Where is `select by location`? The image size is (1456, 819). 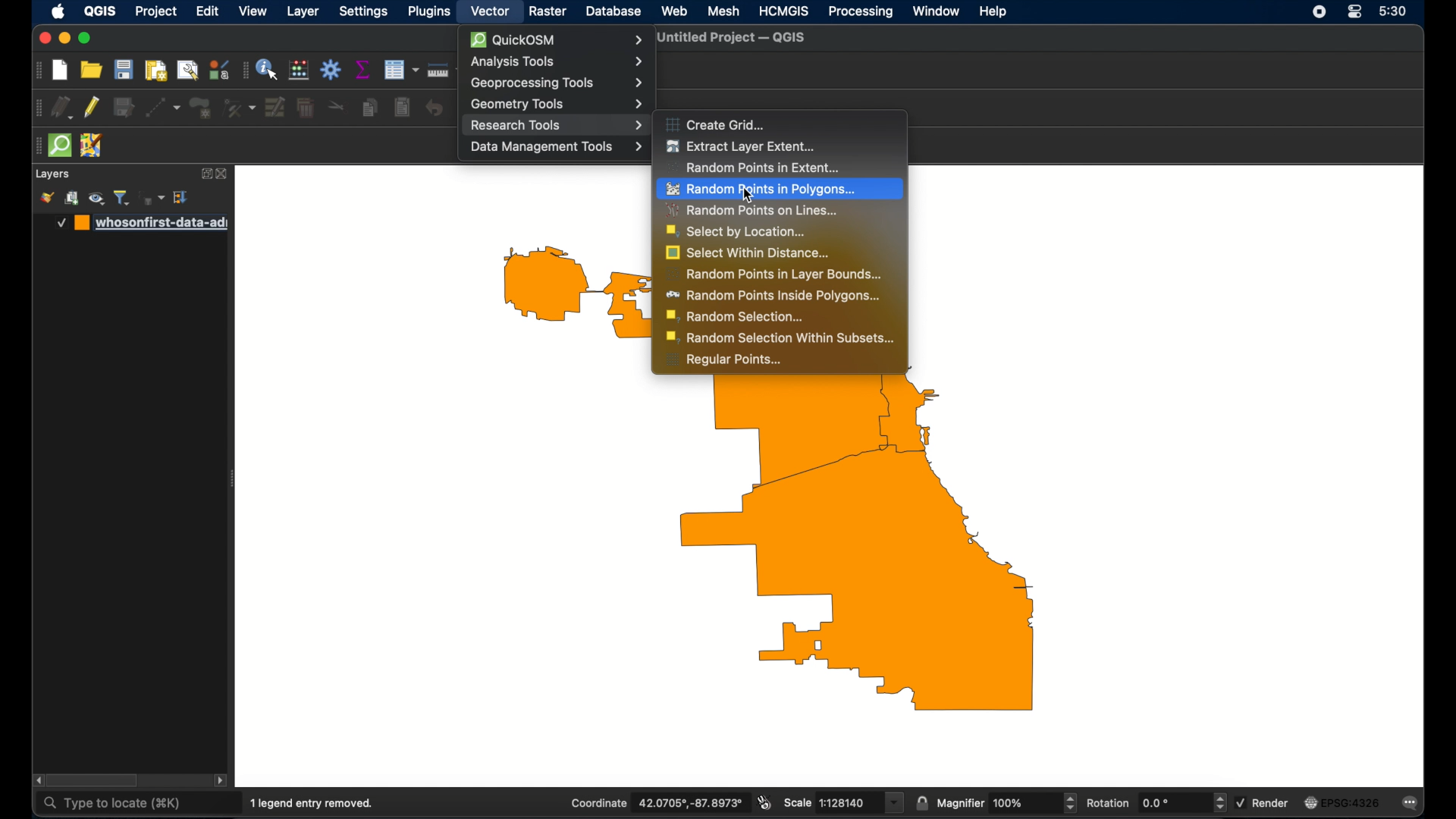
select by location is located at coordinates (737, 232).